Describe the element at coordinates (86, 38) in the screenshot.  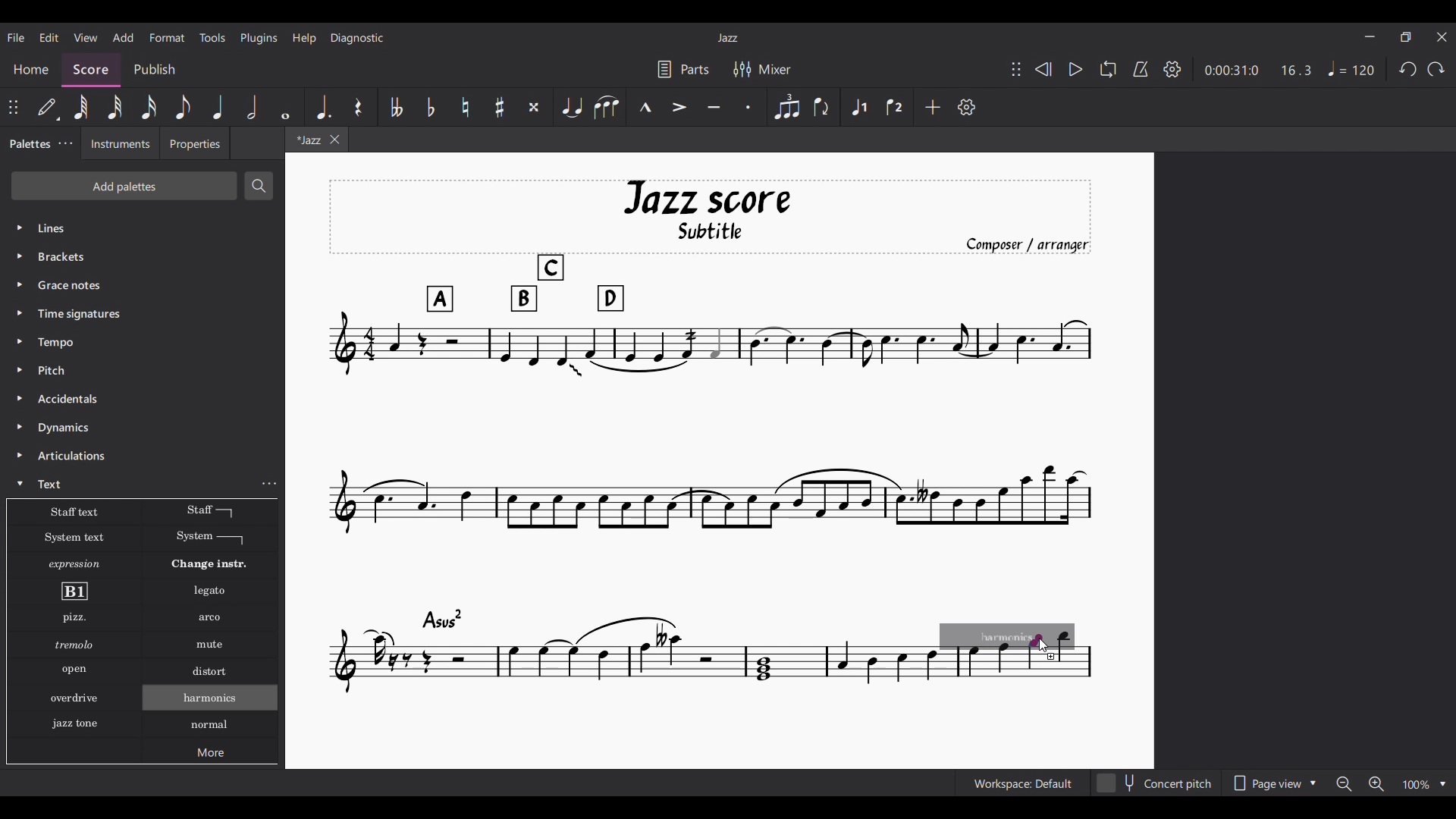
I see `View menu` at that location.